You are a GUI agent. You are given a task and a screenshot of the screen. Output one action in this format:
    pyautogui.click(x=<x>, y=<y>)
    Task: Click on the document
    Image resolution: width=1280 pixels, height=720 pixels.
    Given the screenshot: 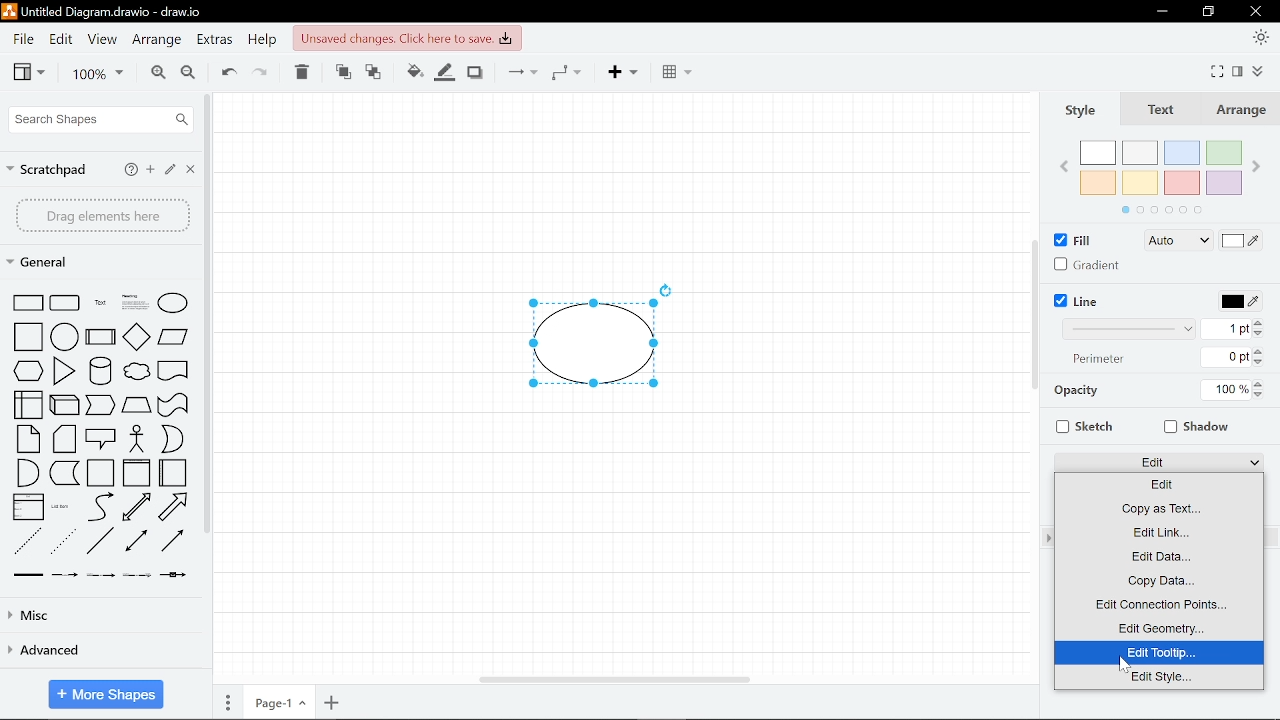 What is the action you would take?
    pyautogui.click(x=173, y=369)
    